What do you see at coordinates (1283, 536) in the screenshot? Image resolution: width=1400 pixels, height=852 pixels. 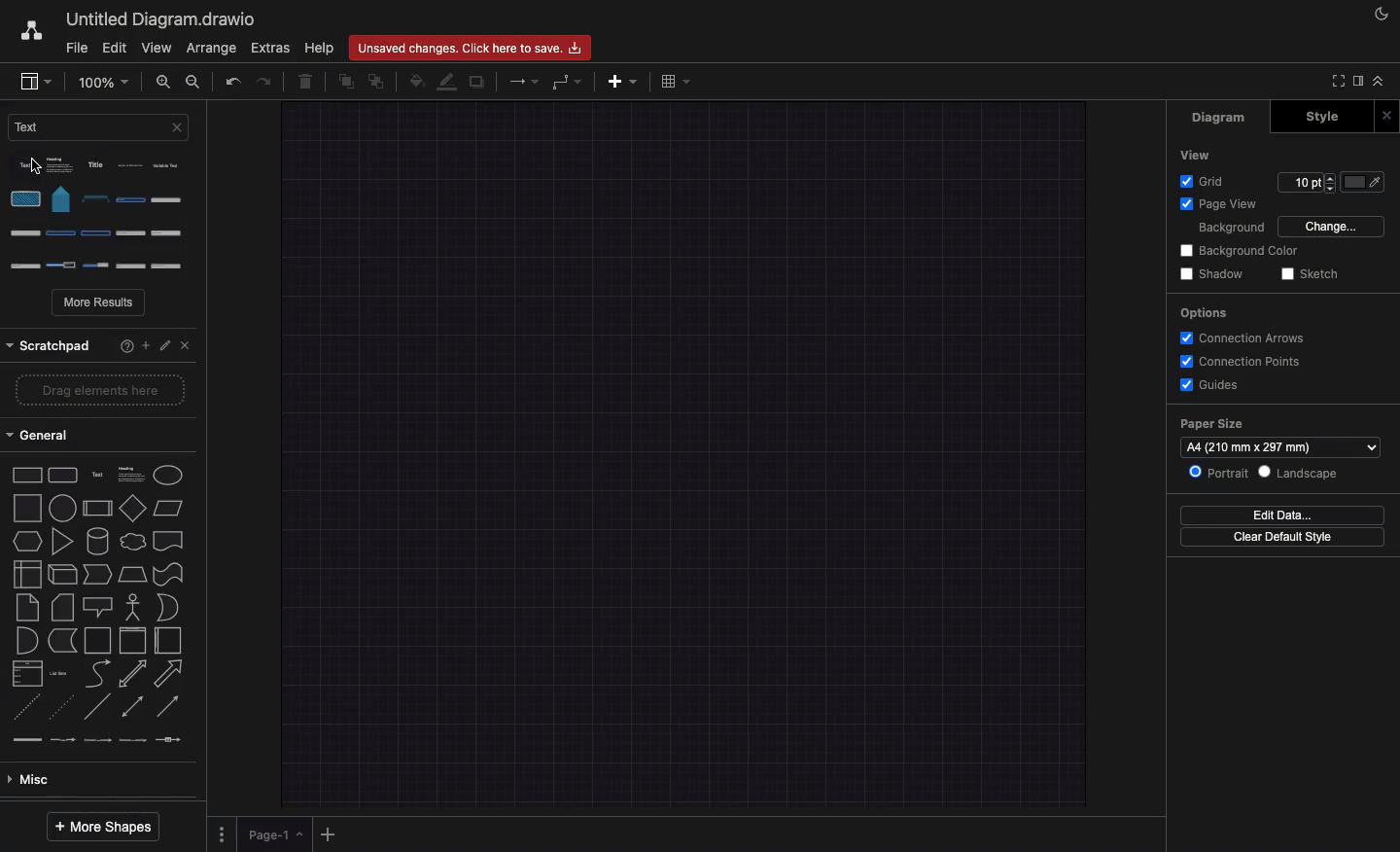 I see `Clear default style` at bounding box center [1283, 536].